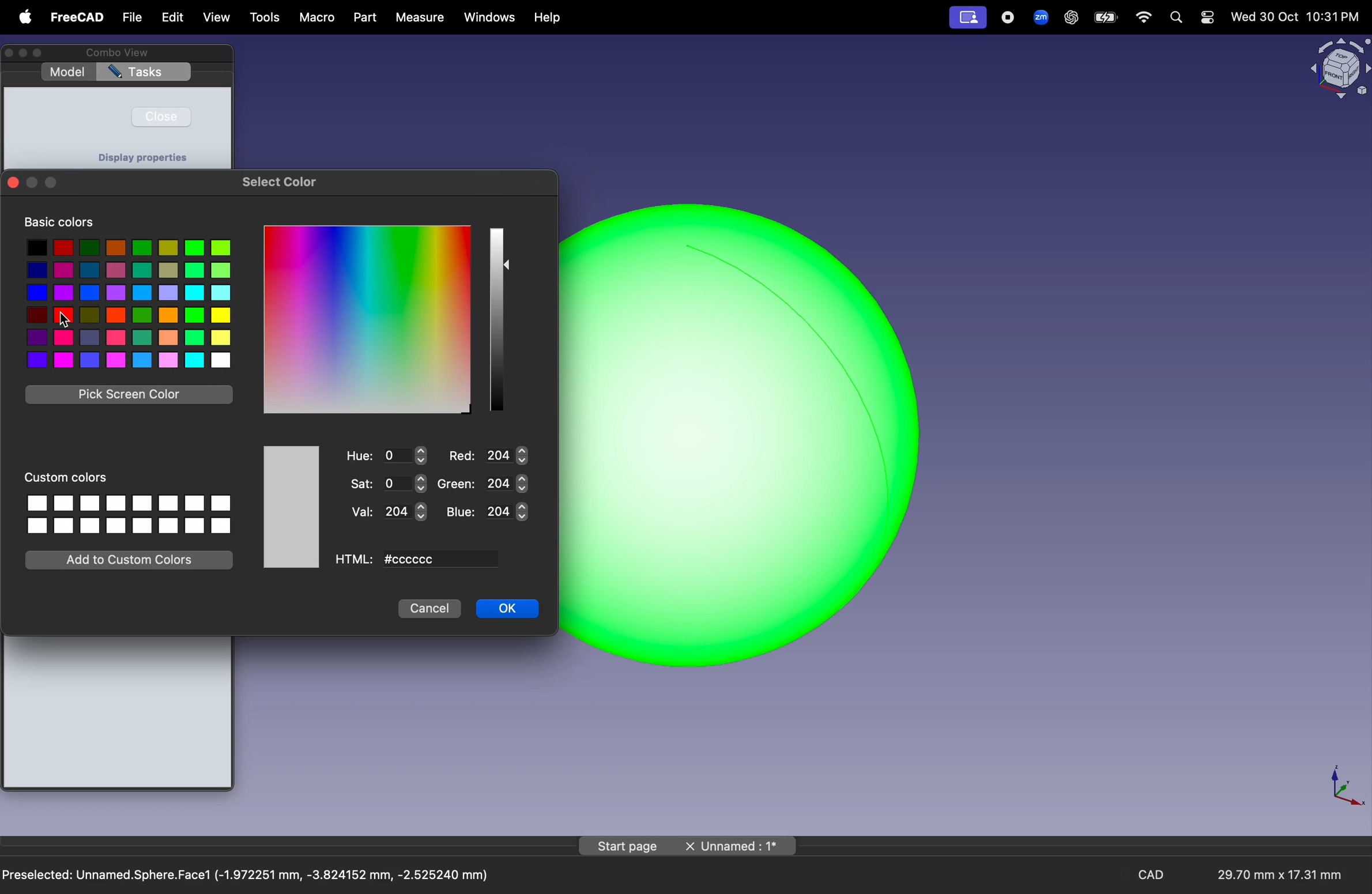 Image resolution: width=1372 pixels, height=894 pixels. What do you see at coordinates (1207, 17) in the screenshot?
I see `settings` at bounding box center [1207, 17].